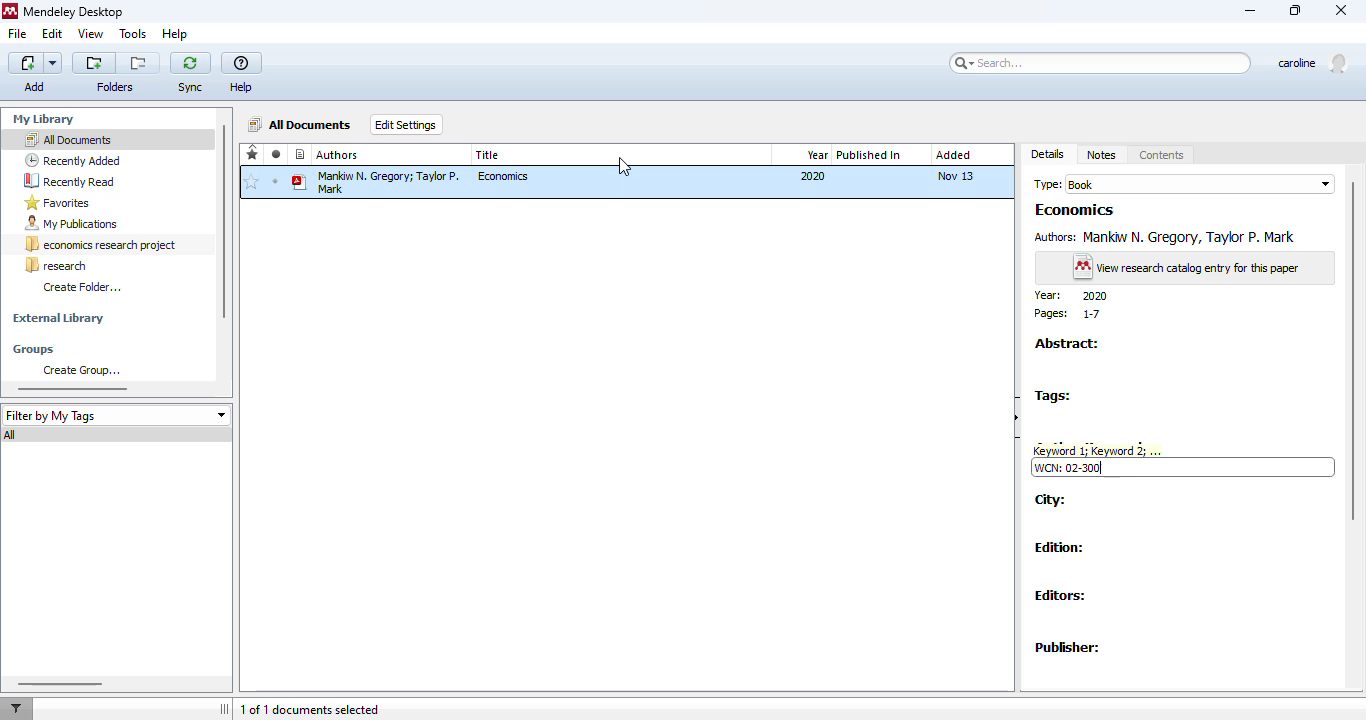  Describe the element at coordinates (1296, 11) in the screenshot. I see `maximize` at that location.